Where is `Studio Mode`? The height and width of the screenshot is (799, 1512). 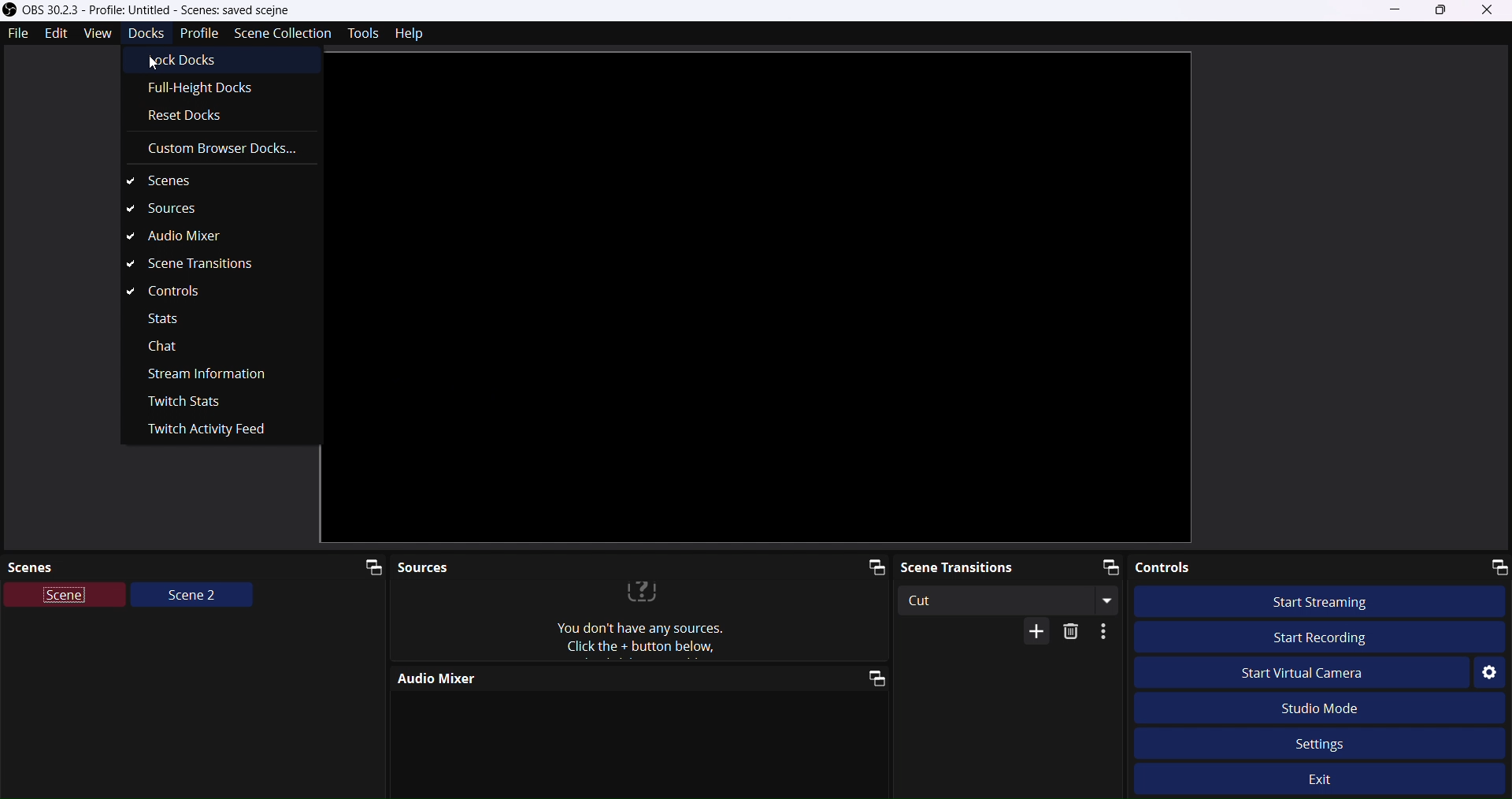 Studio Mode is located at coordinates (1343, 707).